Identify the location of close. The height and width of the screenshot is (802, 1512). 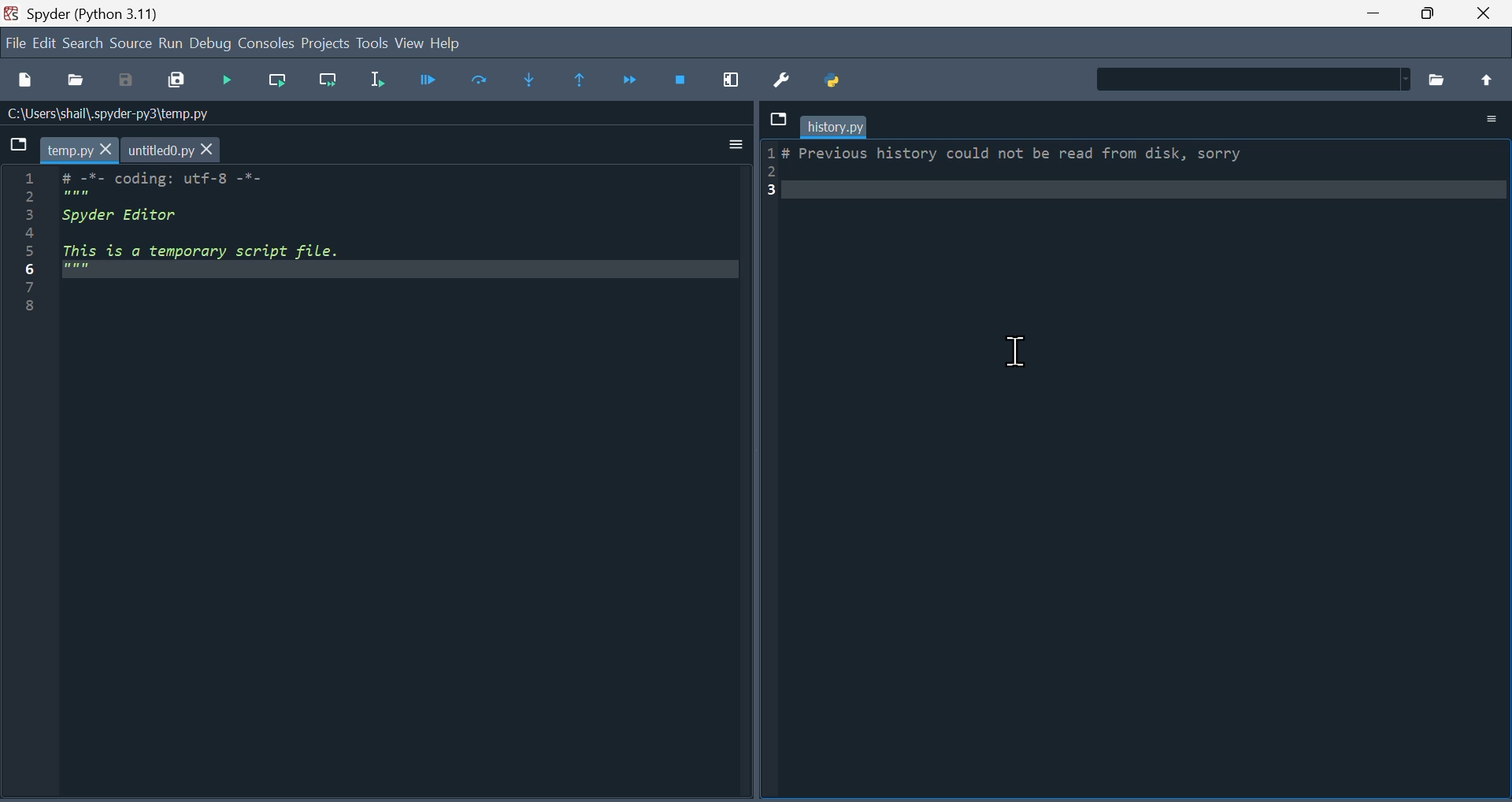
(1484, 14).